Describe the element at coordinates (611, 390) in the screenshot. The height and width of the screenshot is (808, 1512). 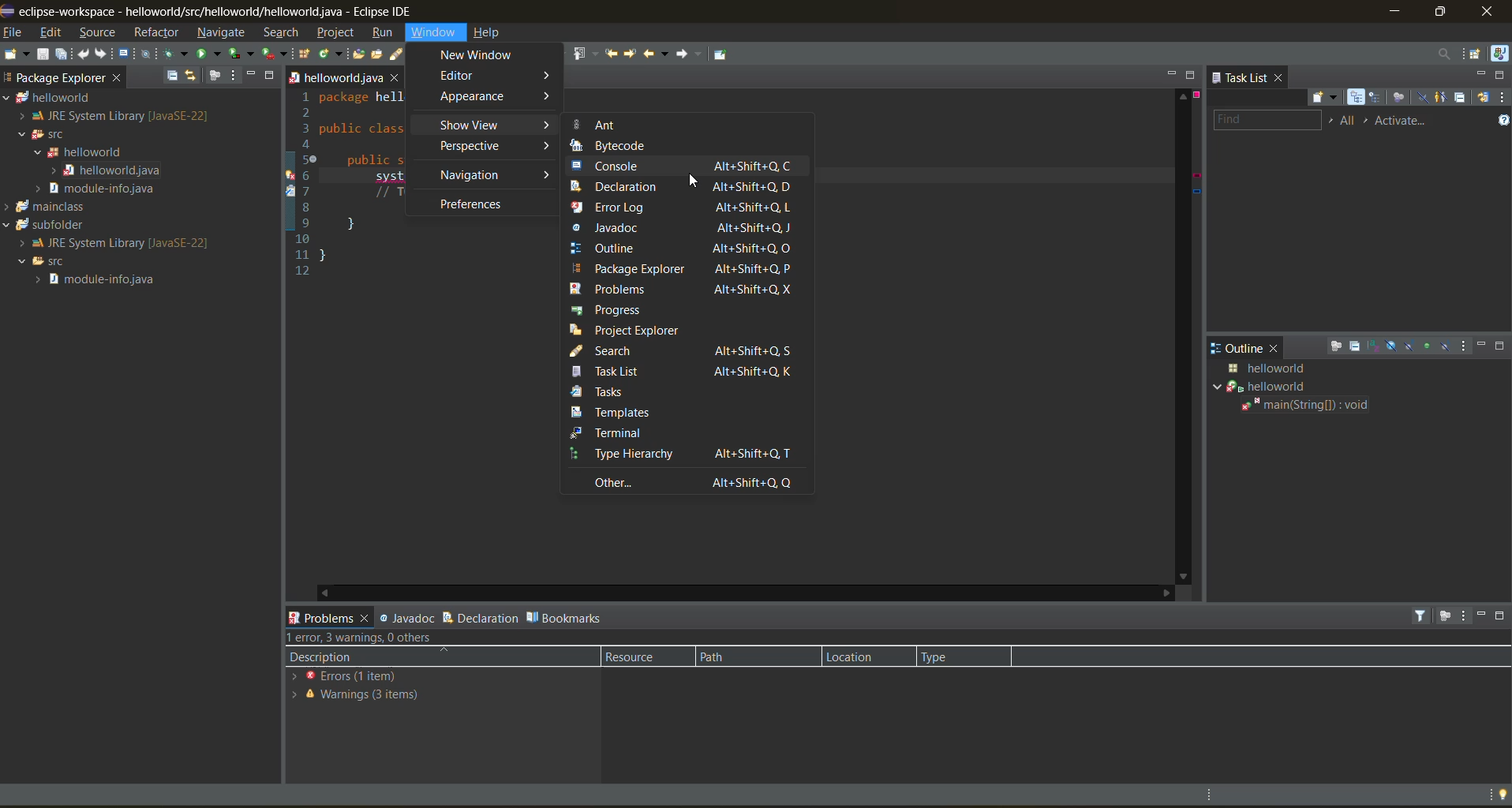
I see `tasks` at that location.